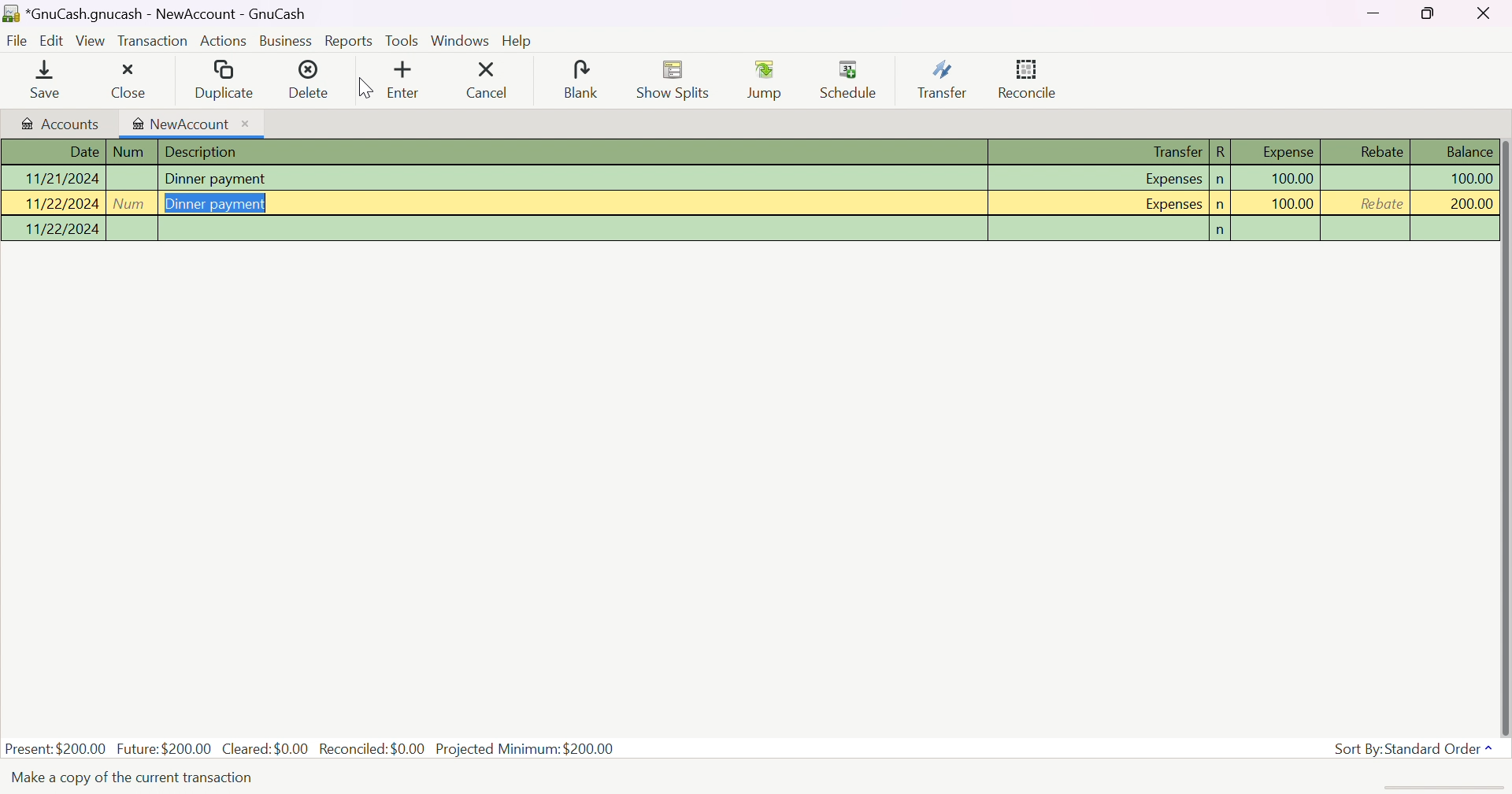 The width and height of the screenshot is (1512, 794). Describe the element at coordinates (39, 82) in the screenshot. I see `Save` at that location.